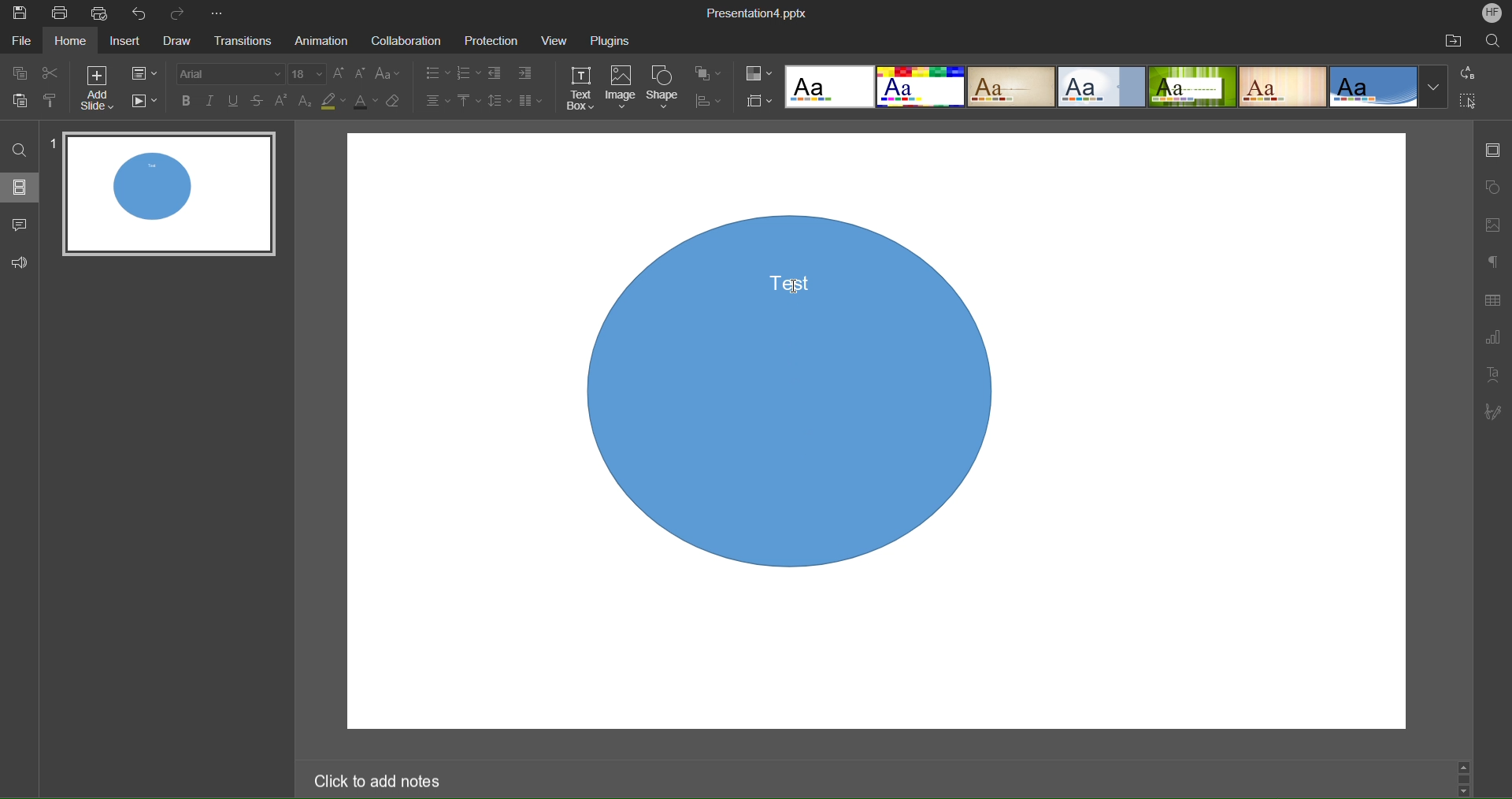 Image resolution: width=1512 pixels, height=799 pixels. I want to click on View, so click(561, 39).